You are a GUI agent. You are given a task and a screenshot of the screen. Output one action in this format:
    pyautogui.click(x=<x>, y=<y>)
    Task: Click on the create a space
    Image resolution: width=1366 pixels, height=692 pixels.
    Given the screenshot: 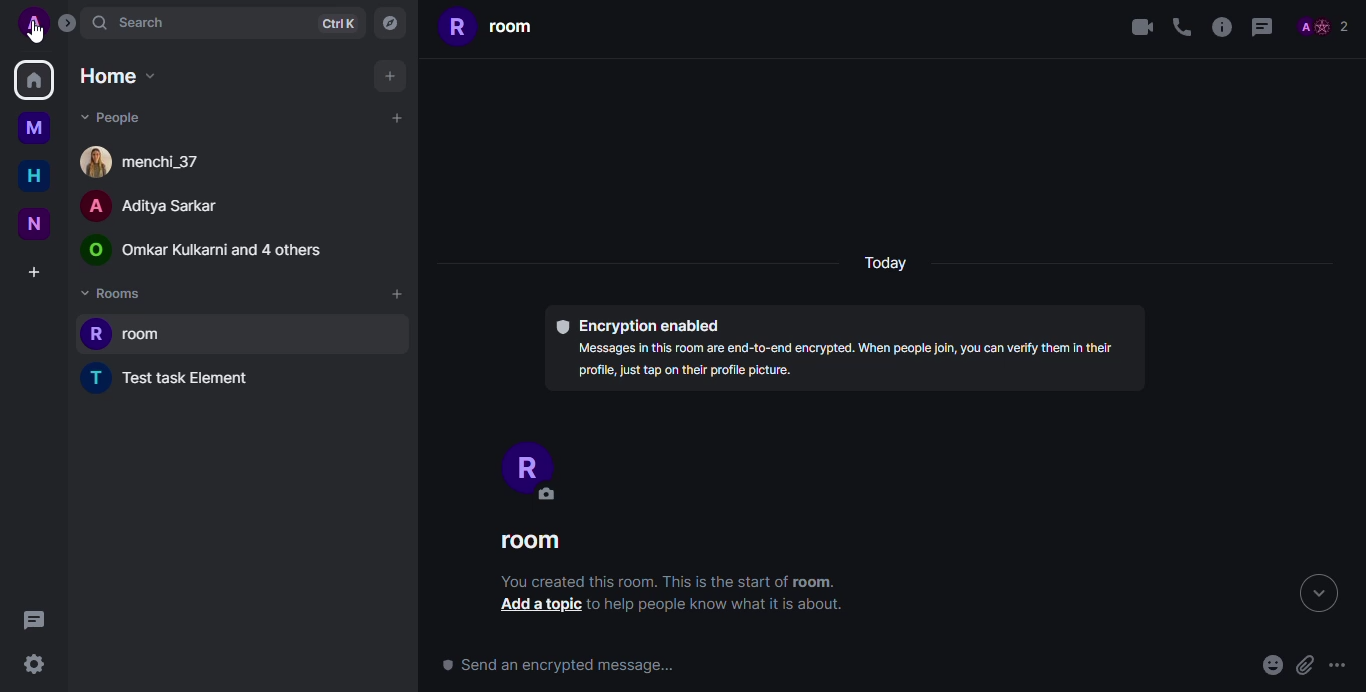 What is the action you would take?
    pyautogui.click(x=33, y=274)
    